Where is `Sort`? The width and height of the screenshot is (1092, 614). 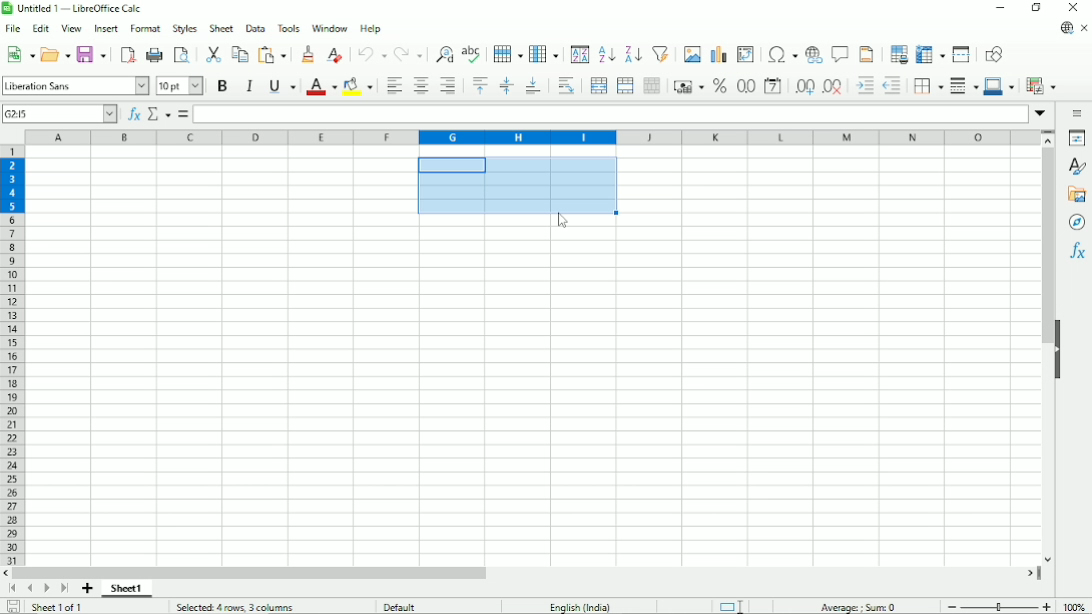 Sort is located at coordinates (579, 54).